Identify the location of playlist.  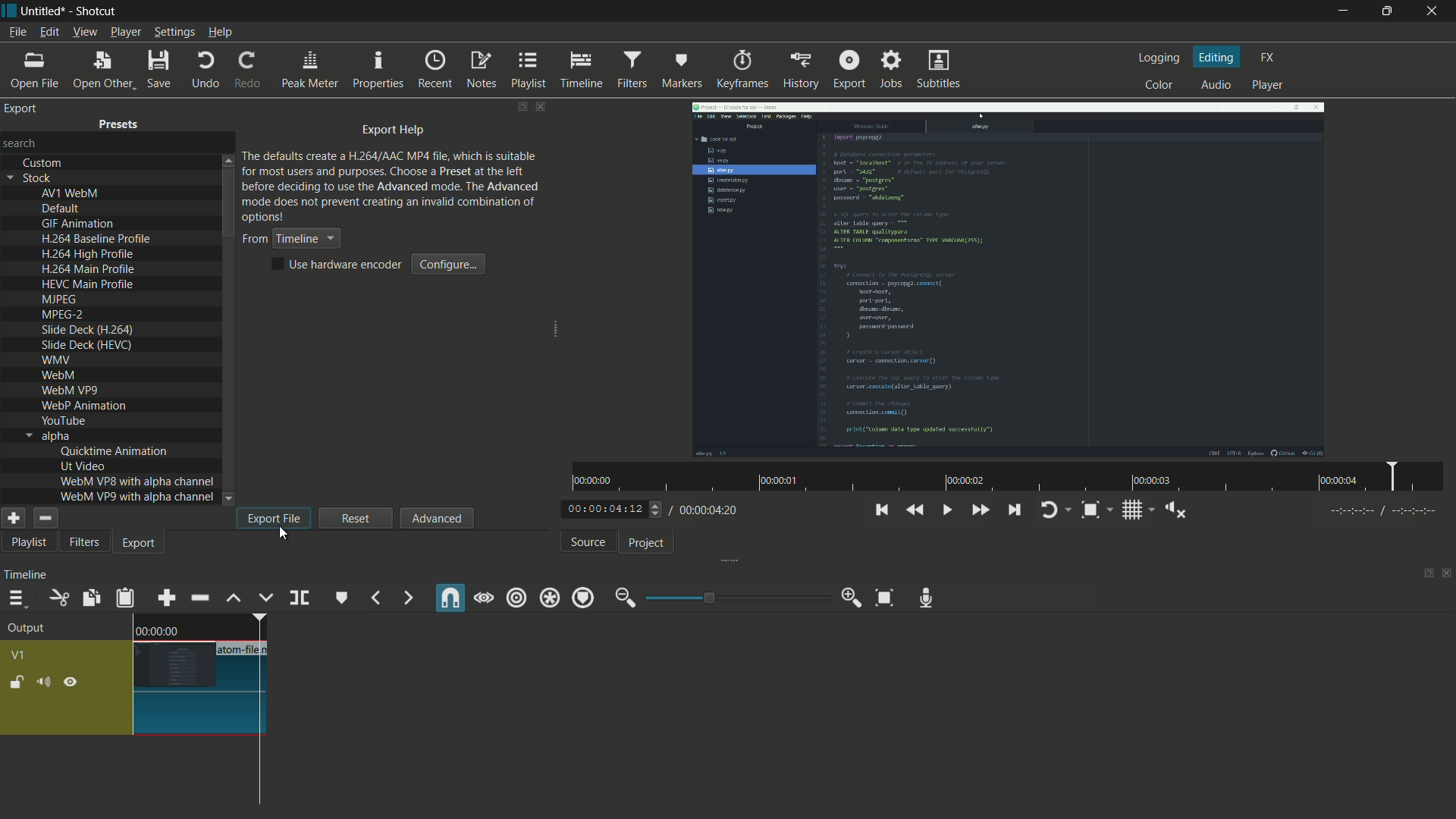
(26, 544).